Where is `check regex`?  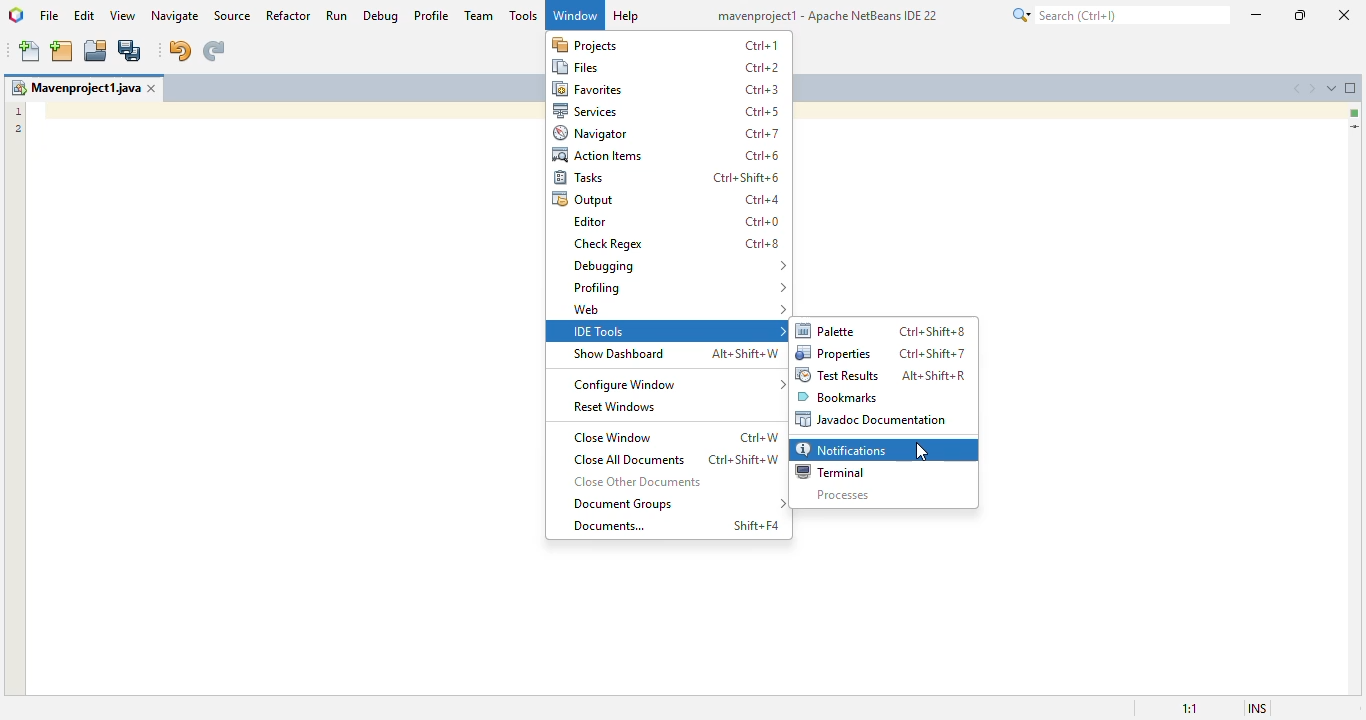 check regex is located at coordinates (610, 244).